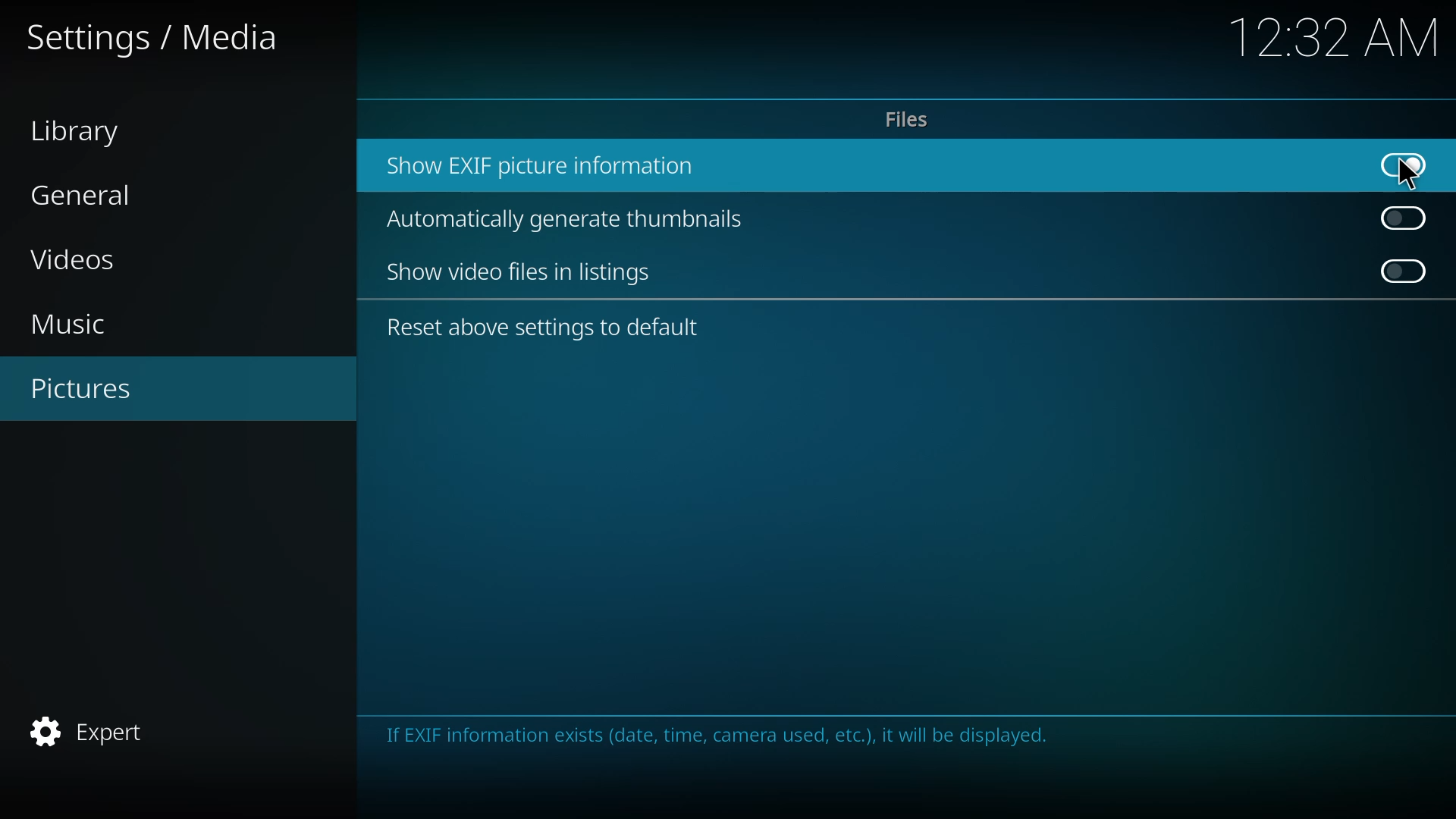 The height and width of the screenshot is (819, 1456). What do you see at coordinates (1409, 173) in the screenshot?
I see `cursor` at bounding box center [1409, 173].